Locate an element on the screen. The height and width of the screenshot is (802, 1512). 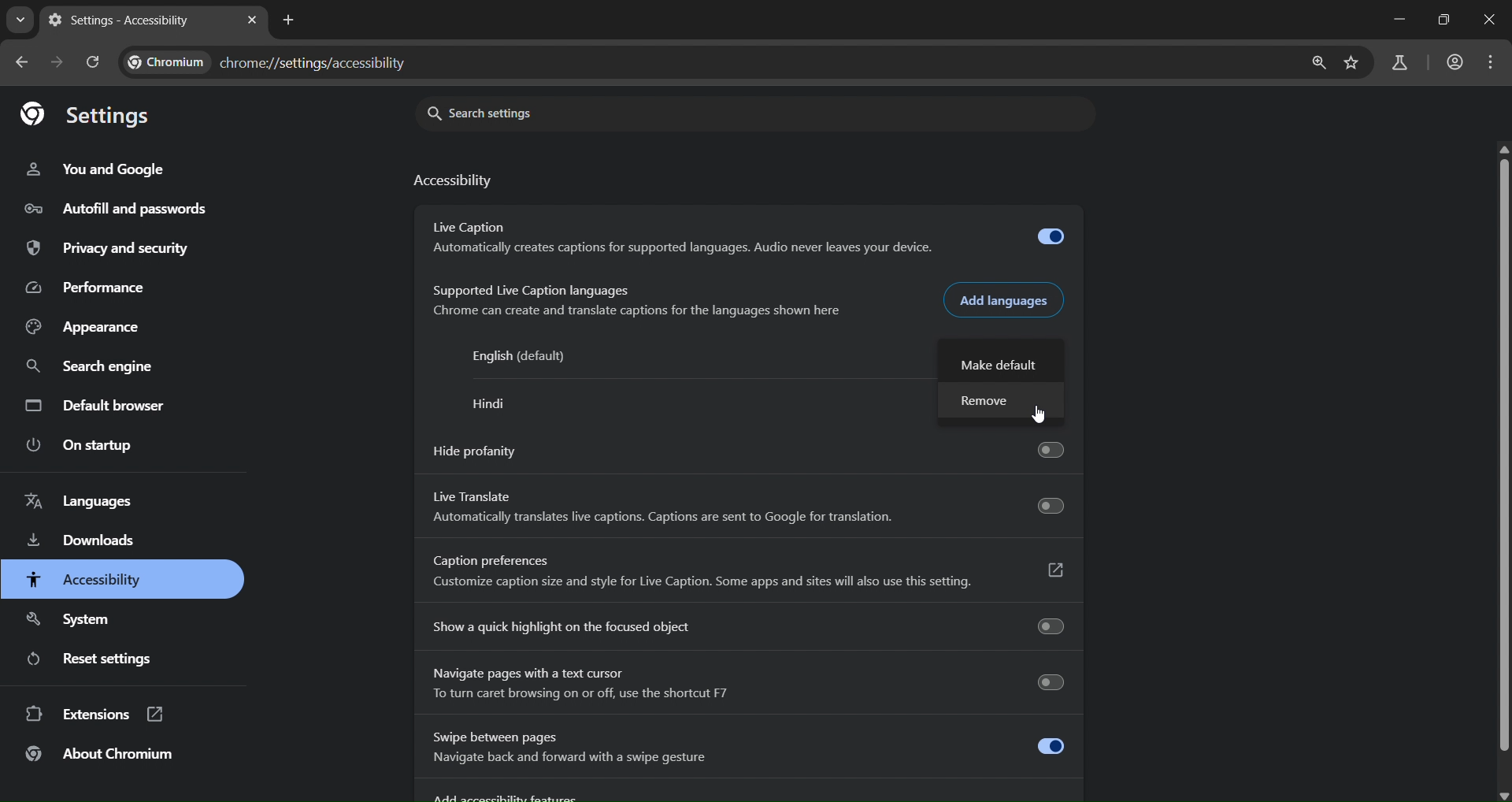
search settings is located at coordinates (556, 115).